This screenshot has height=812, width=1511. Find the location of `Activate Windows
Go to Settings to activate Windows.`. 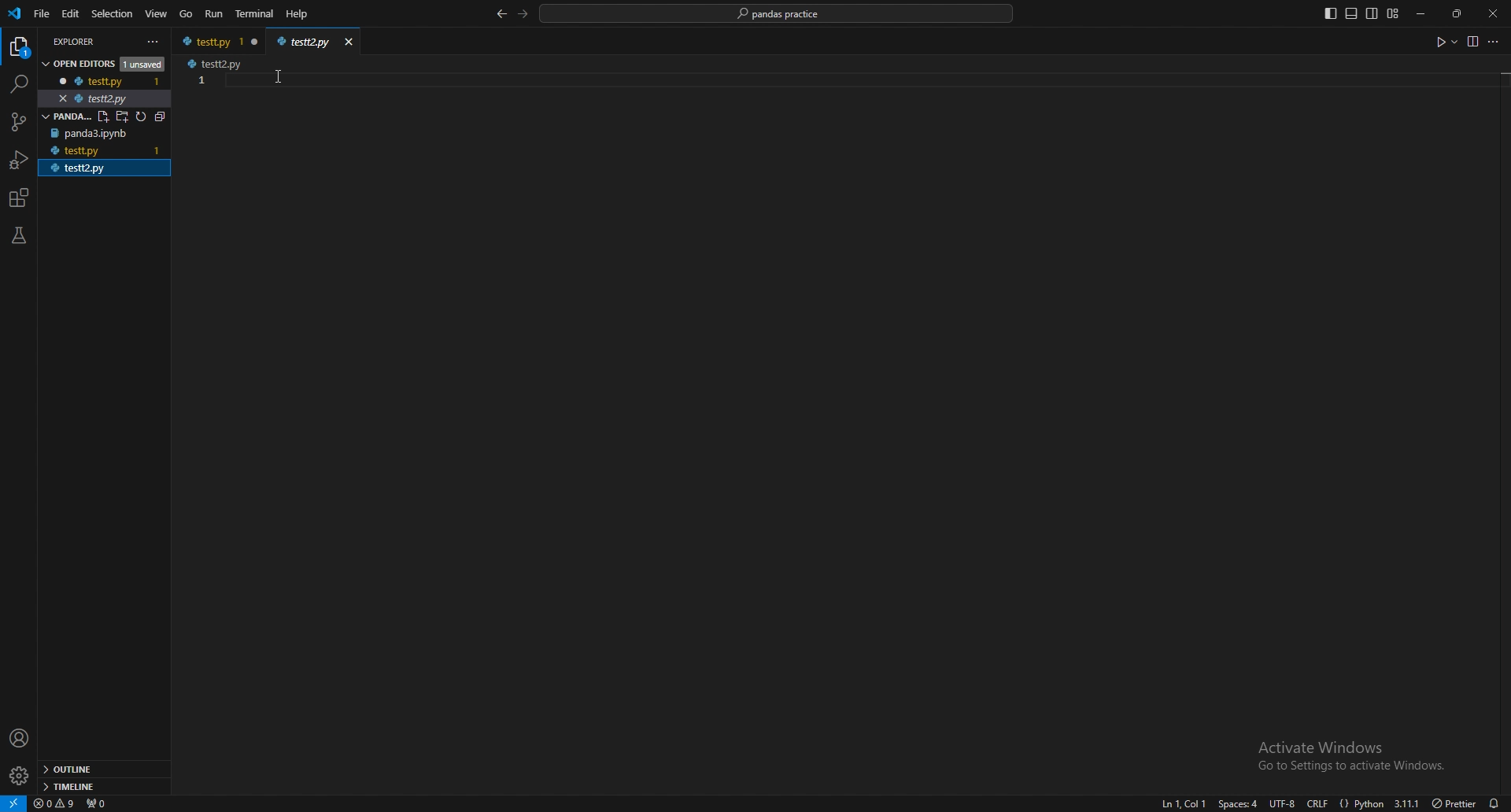

Activate Windows
Go to Settings to activate Windows. is located at coordinates (1346, 755).